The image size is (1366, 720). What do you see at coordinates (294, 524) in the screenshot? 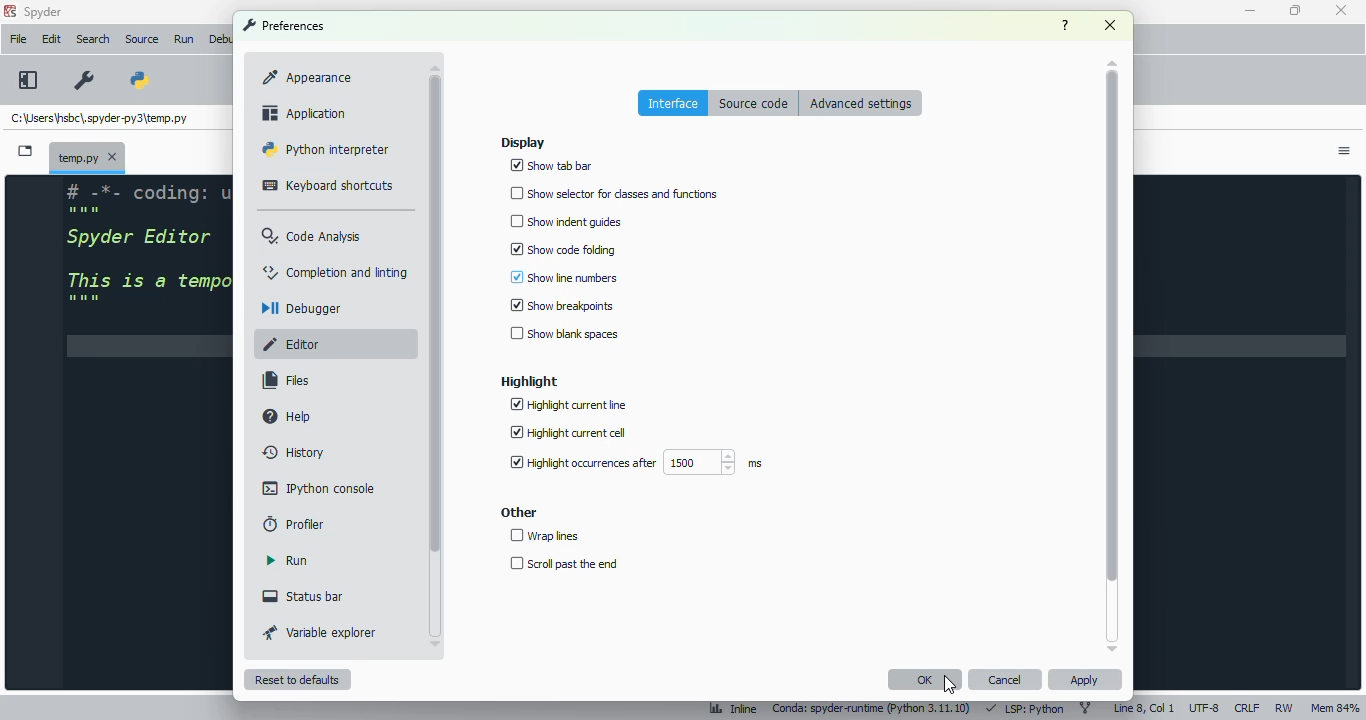
I see `profiler` at bounding box center [294, 524].